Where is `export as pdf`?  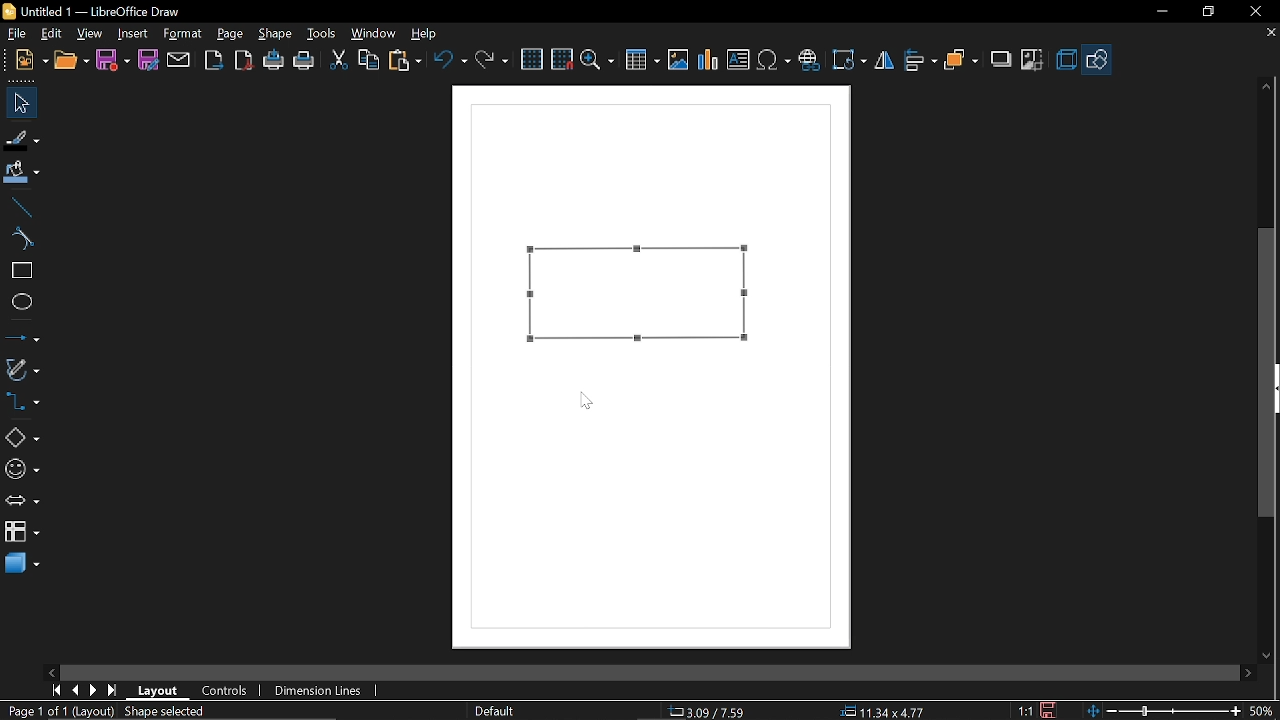 export as pdf is located at coordinates (242, 60).